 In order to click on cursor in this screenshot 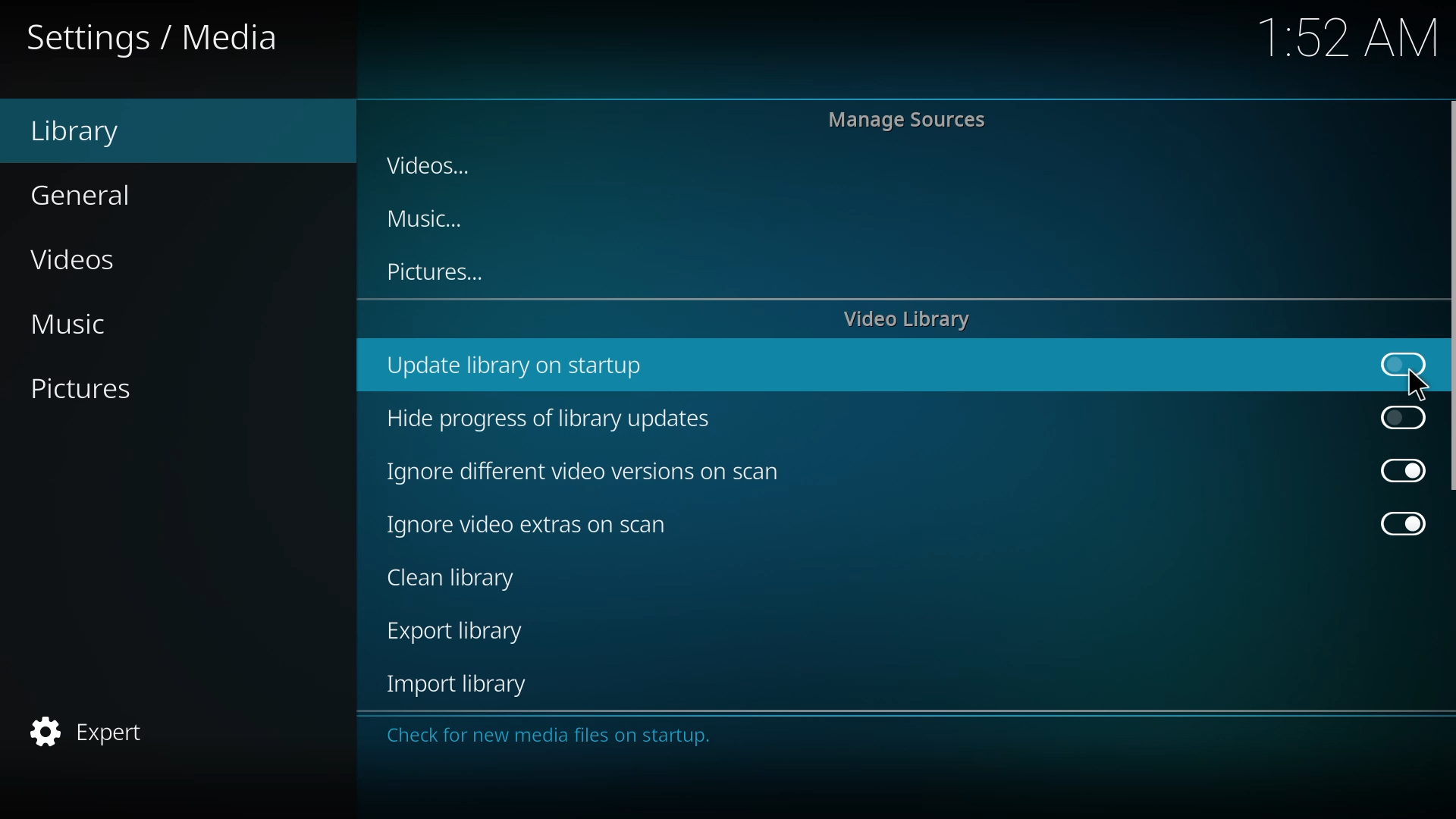, I will do `click(1417, 385)`.